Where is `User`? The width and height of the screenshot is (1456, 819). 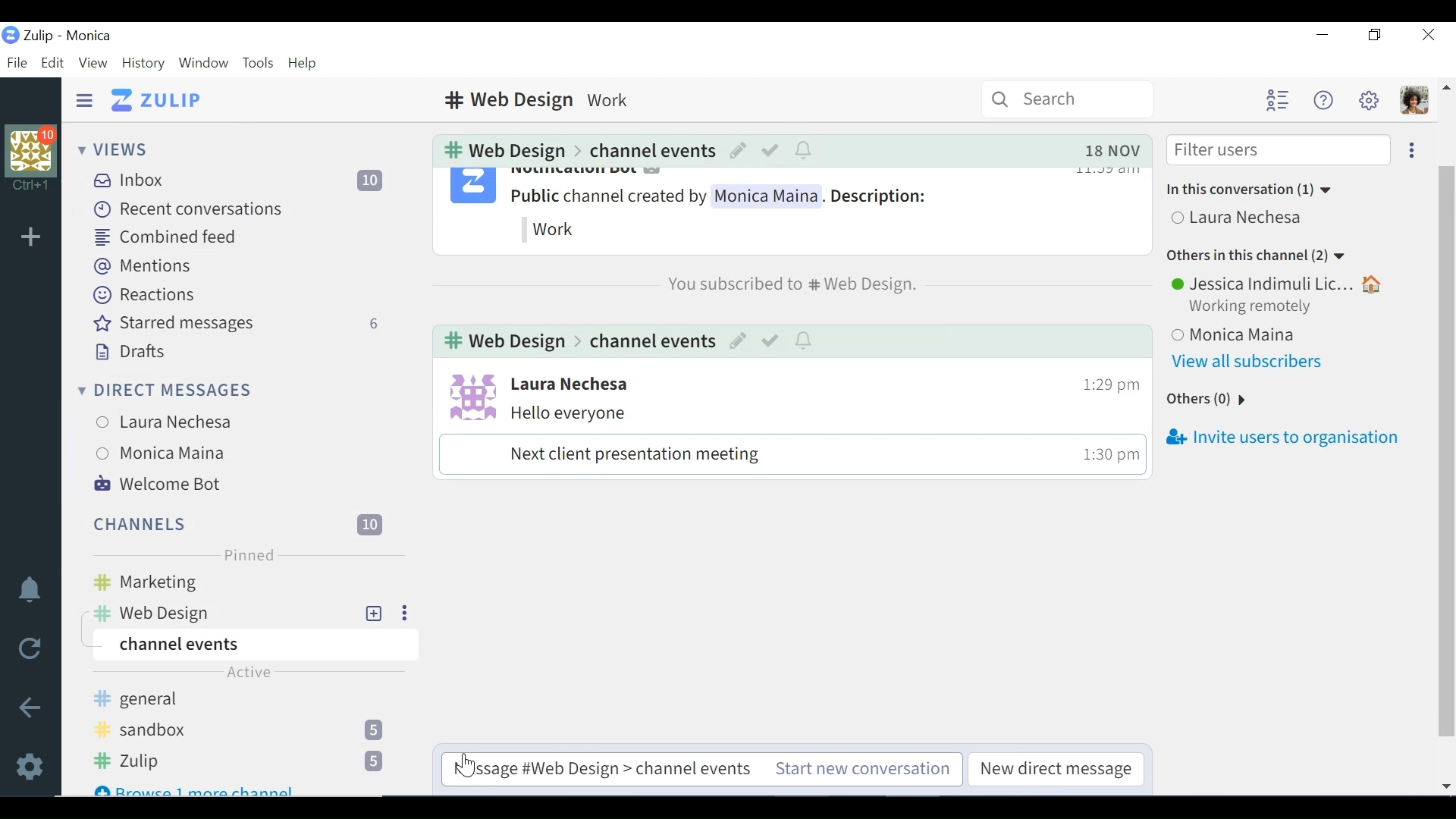
User is located at coordinates (1241, 219).